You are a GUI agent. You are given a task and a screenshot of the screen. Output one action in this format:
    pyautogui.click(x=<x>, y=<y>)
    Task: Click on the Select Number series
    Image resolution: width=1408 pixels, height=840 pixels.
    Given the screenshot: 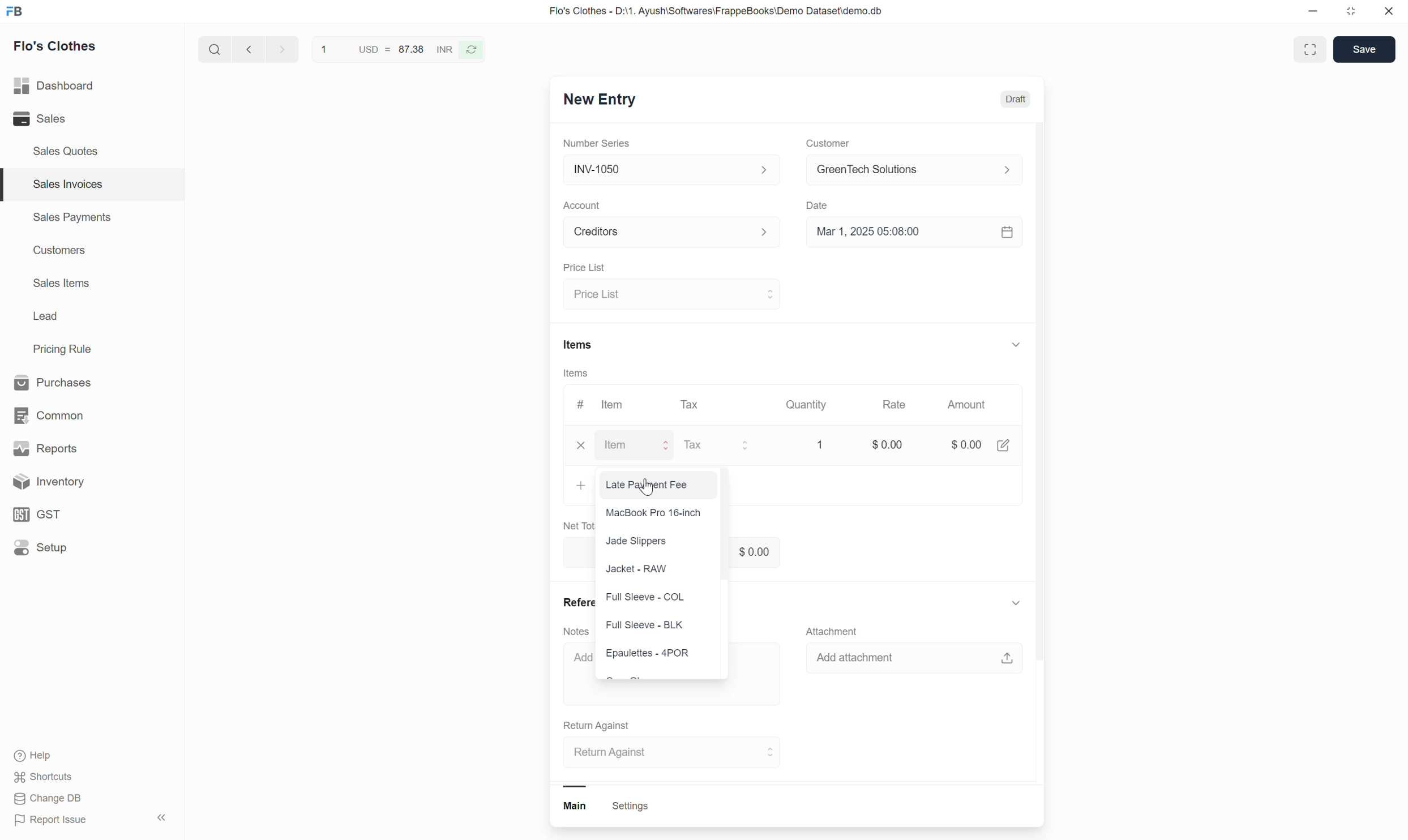 What is the action you would take?
    pyautogui.click(x=669, y=169)
    